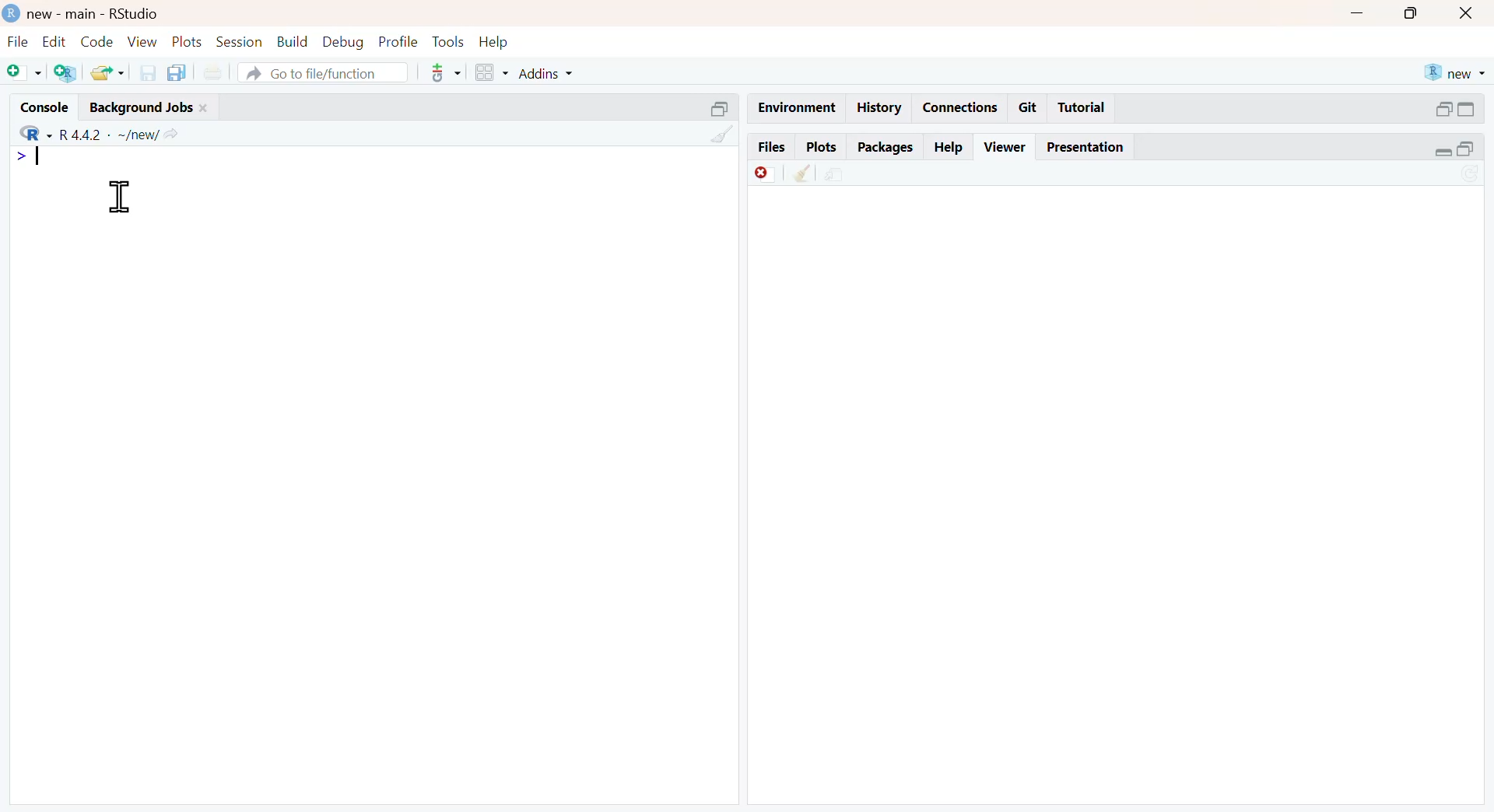  Describe the element at coordinates (1007, 147) in the screenshot. I see `viewer` at that location.